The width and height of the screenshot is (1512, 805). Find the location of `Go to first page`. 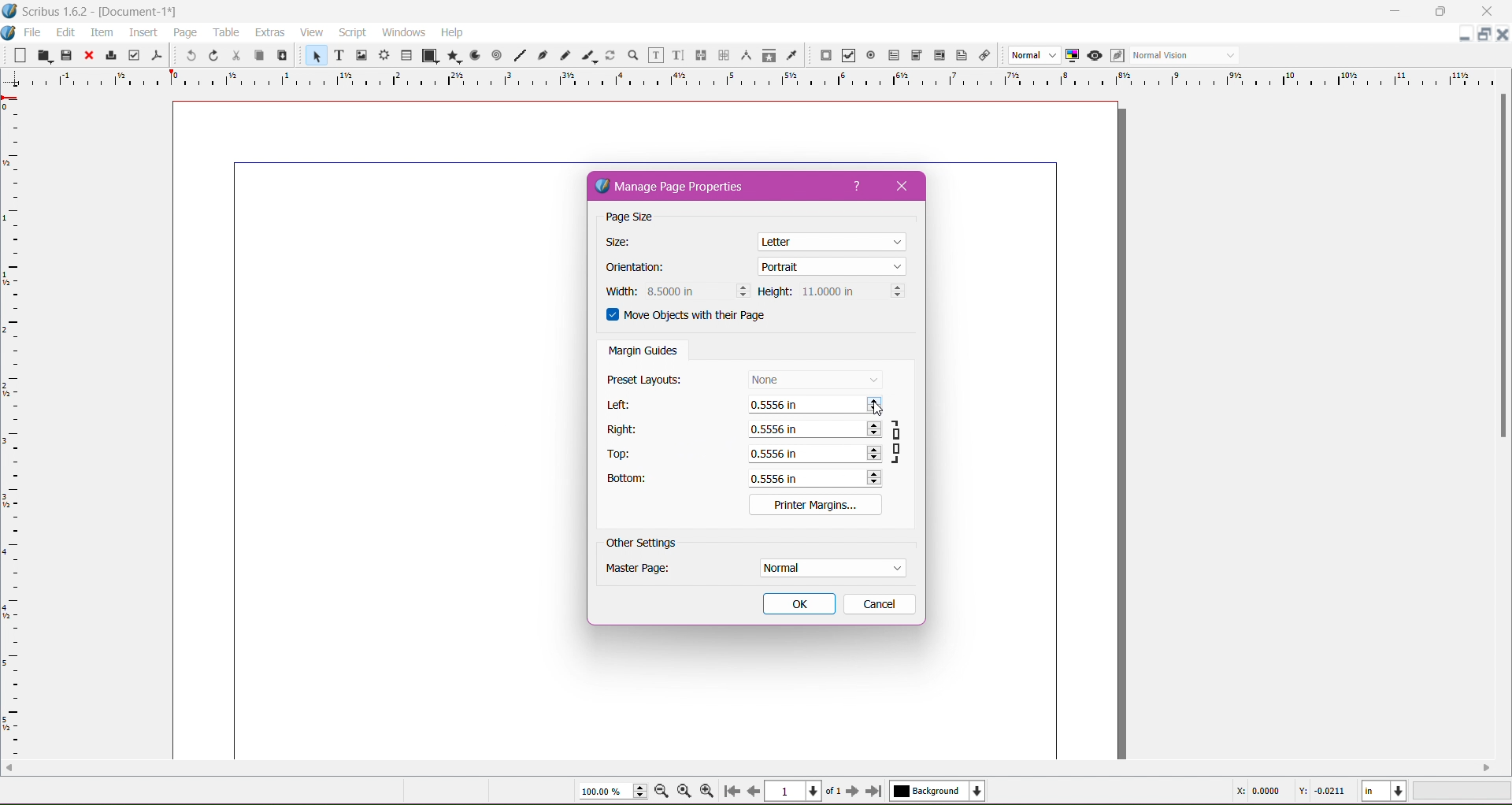

Go to first page is located at coordinates (730, 792).